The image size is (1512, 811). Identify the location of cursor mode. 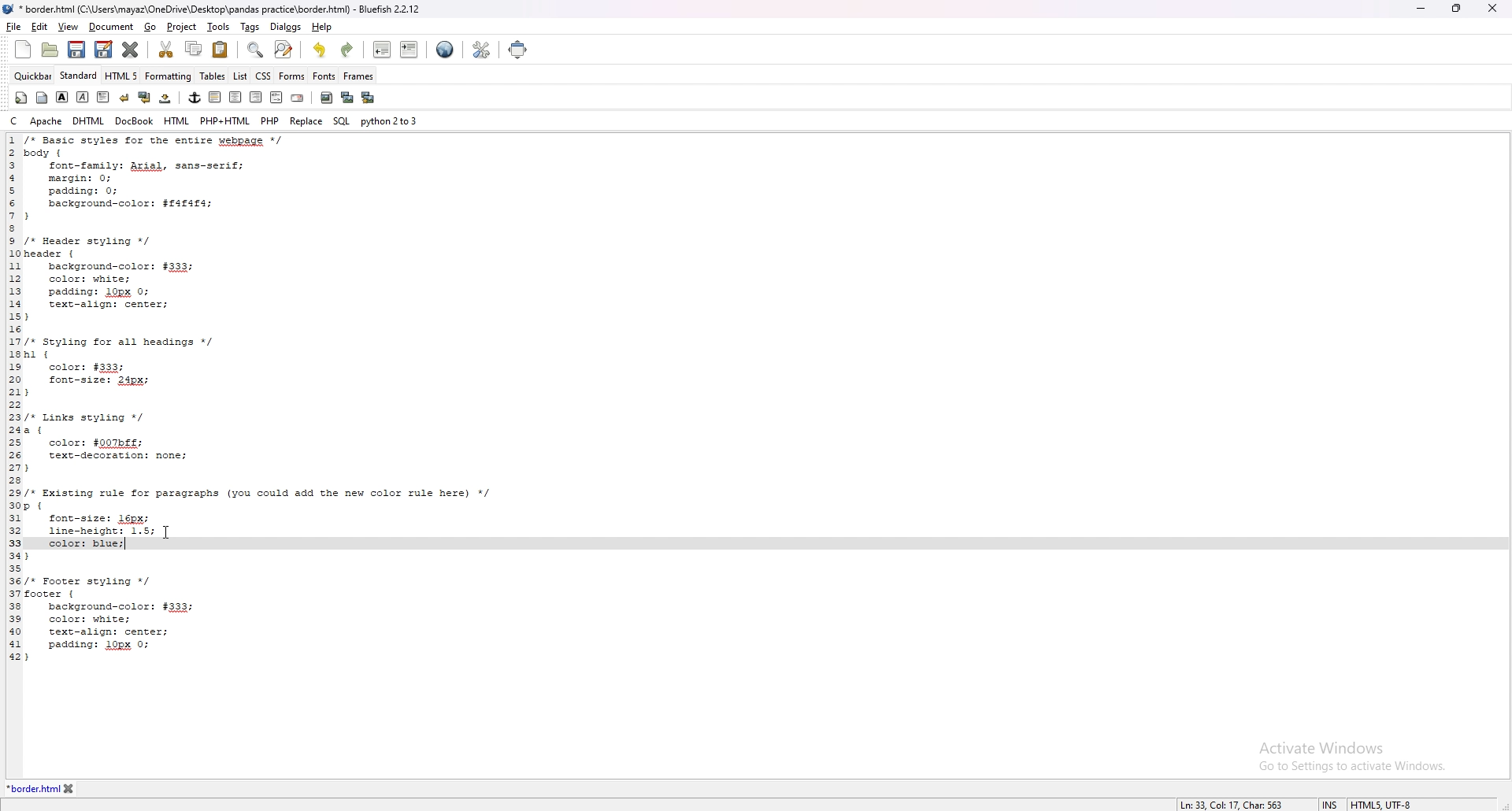
(1331, 804).